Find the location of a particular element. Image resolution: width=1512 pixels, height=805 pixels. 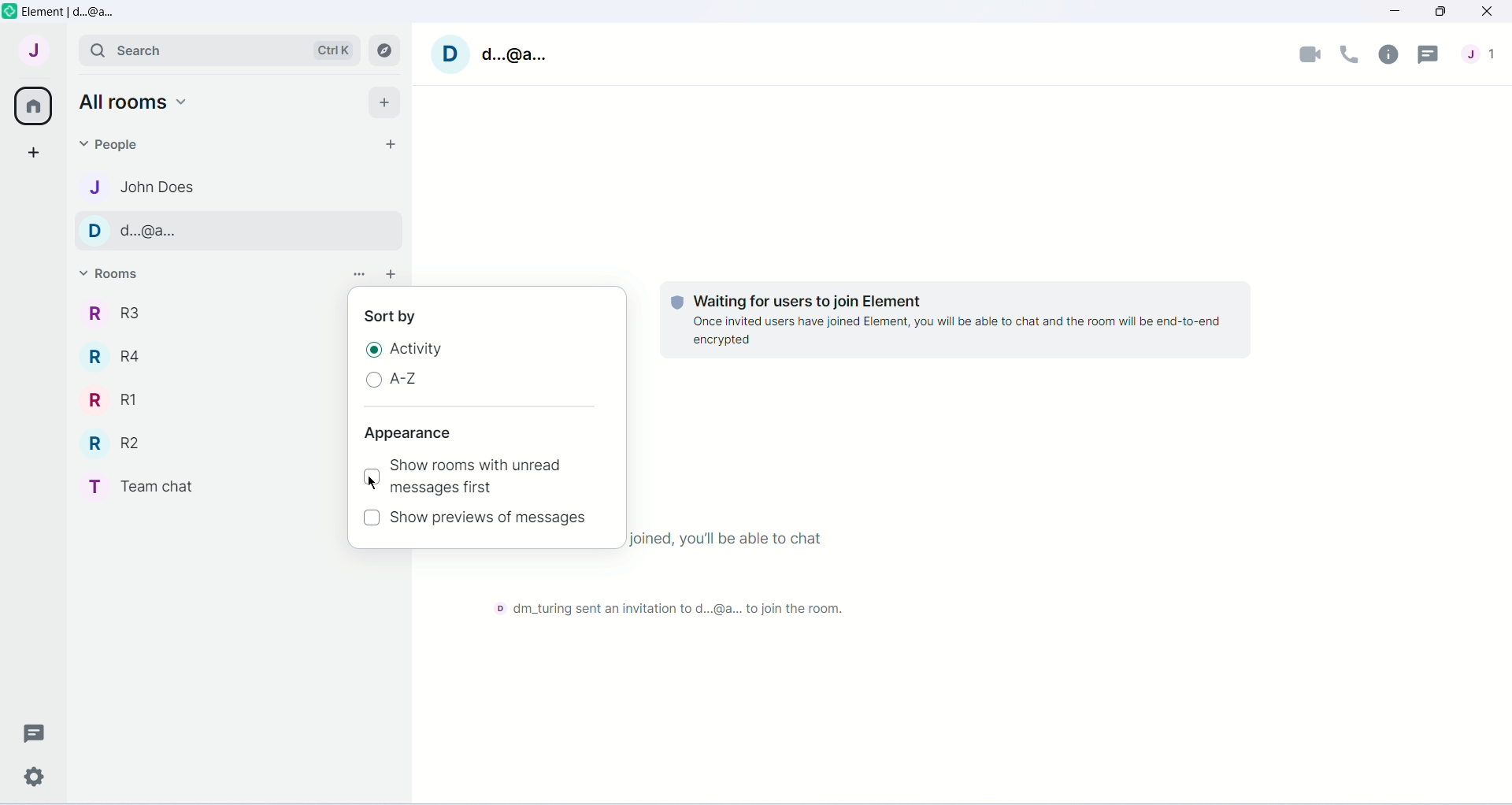

Quick Settings is located at coordinates (36, 773).